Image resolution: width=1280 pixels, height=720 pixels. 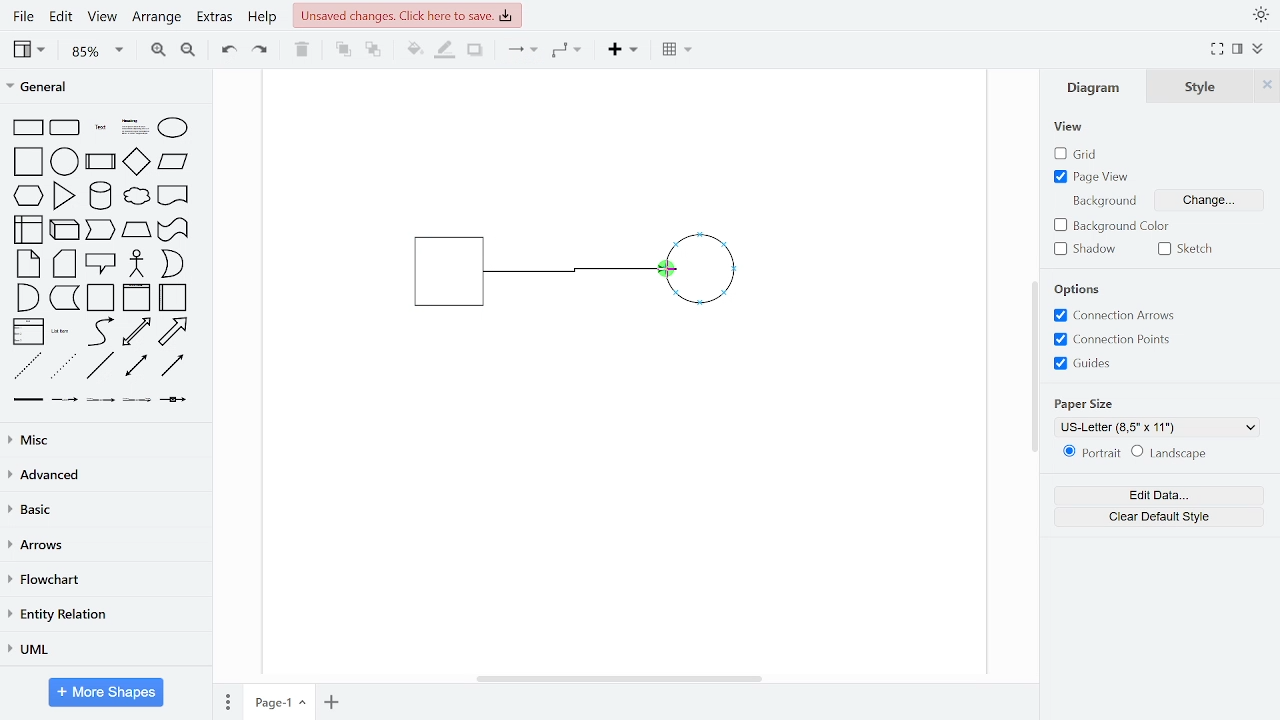 I want to click on document, so click(x=174, y=194).